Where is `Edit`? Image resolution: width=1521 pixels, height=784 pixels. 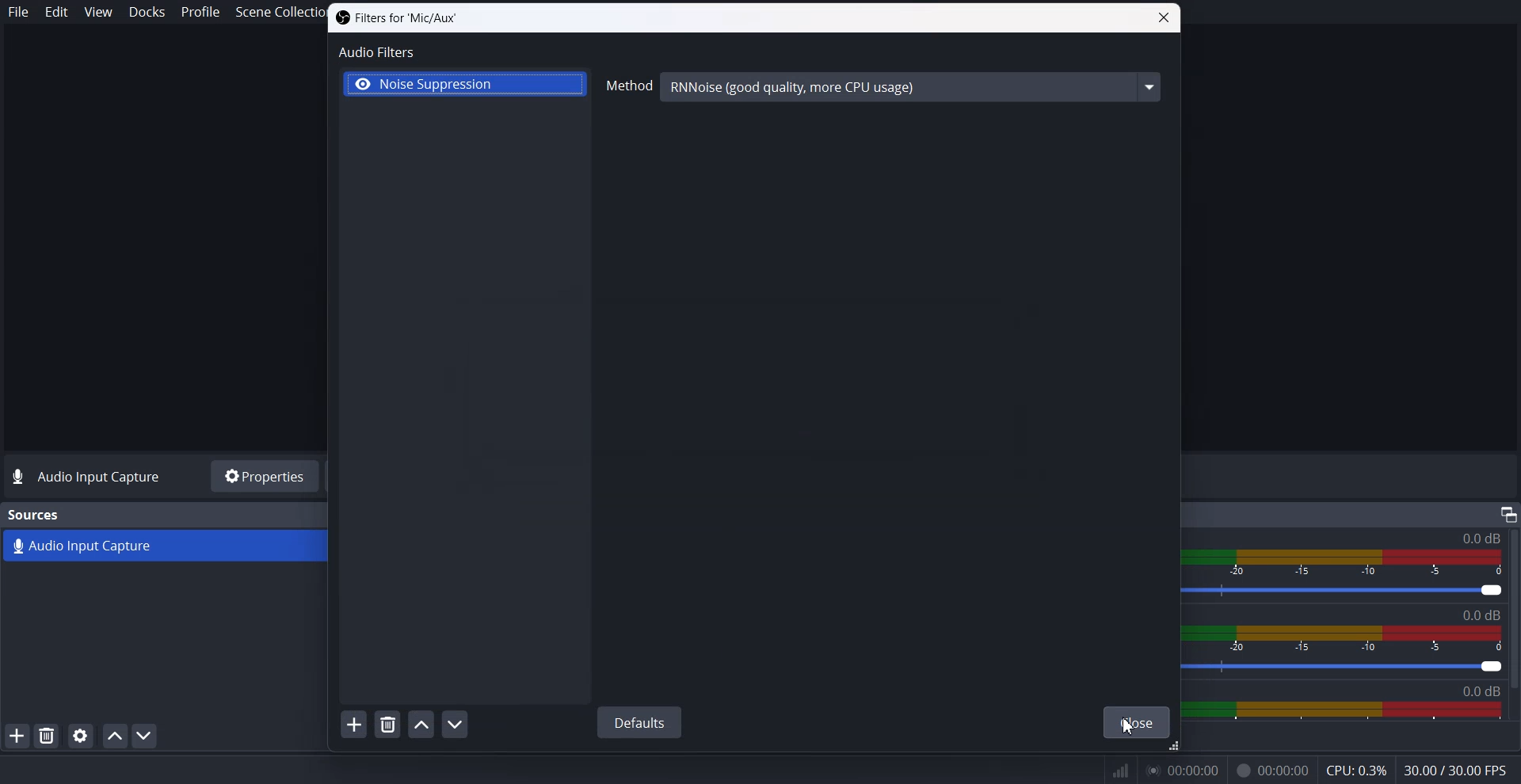
Edit is located at coordinates (57, 12).